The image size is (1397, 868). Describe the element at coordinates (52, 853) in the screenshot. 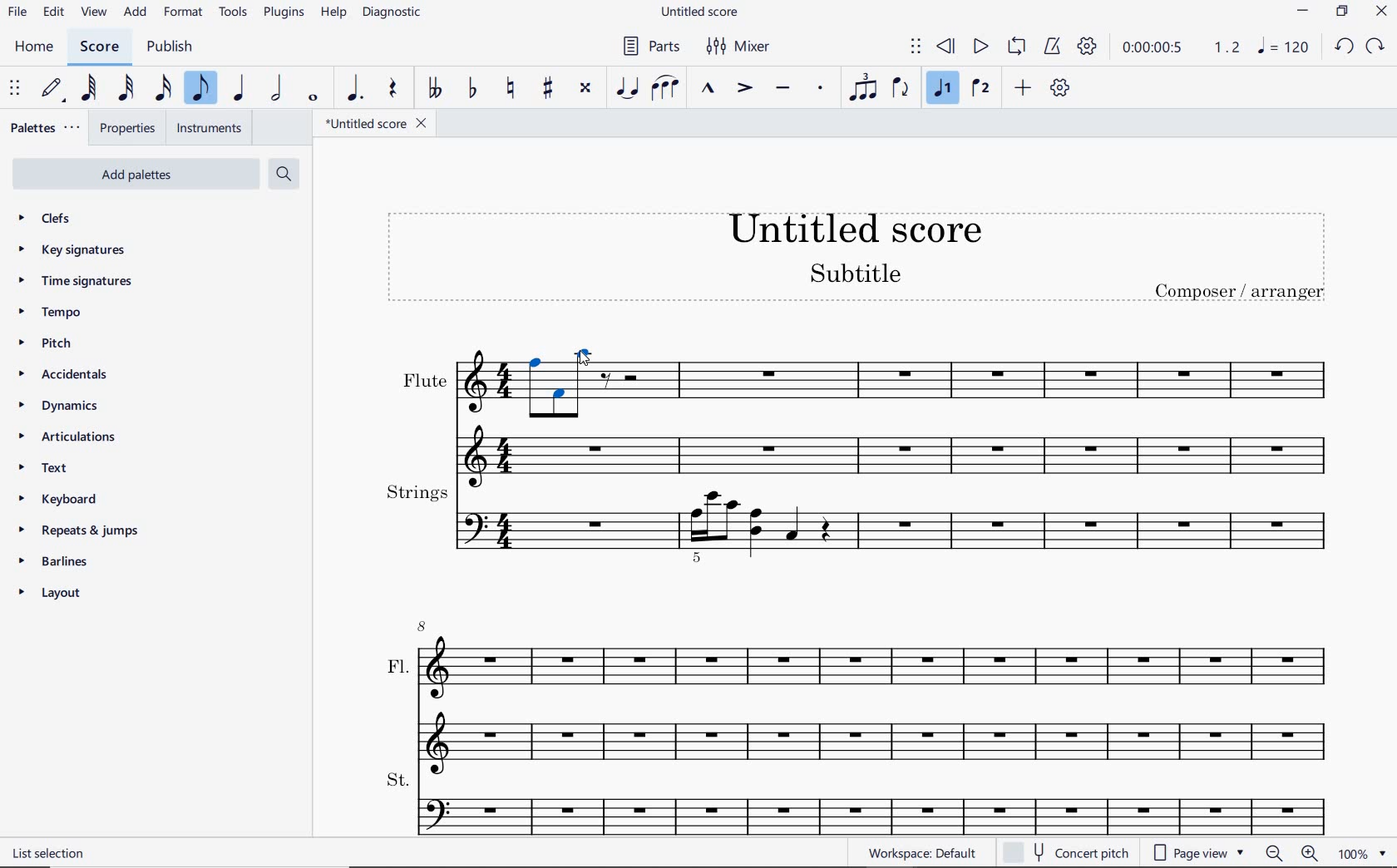

I see `LIST SELECTION` at that location.